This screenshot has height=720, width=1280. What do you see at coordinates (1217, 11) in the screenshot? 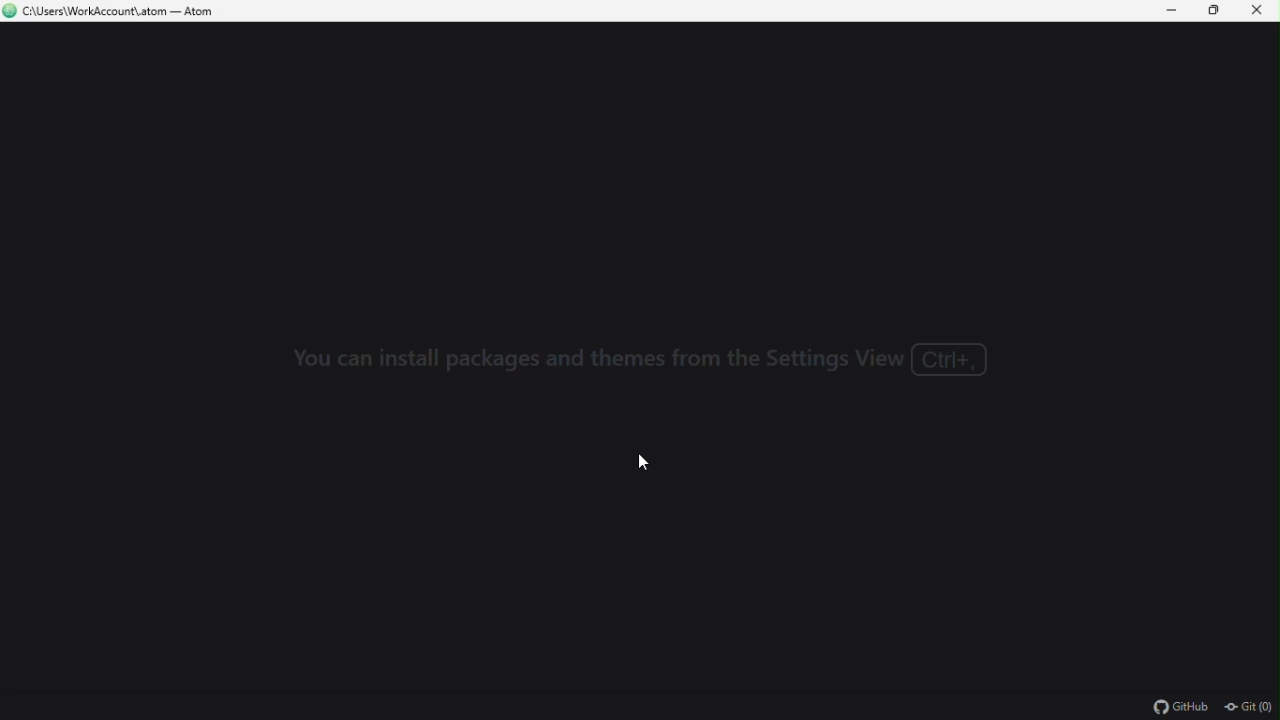
I see `Restore` at bounding box center [1217, 11].